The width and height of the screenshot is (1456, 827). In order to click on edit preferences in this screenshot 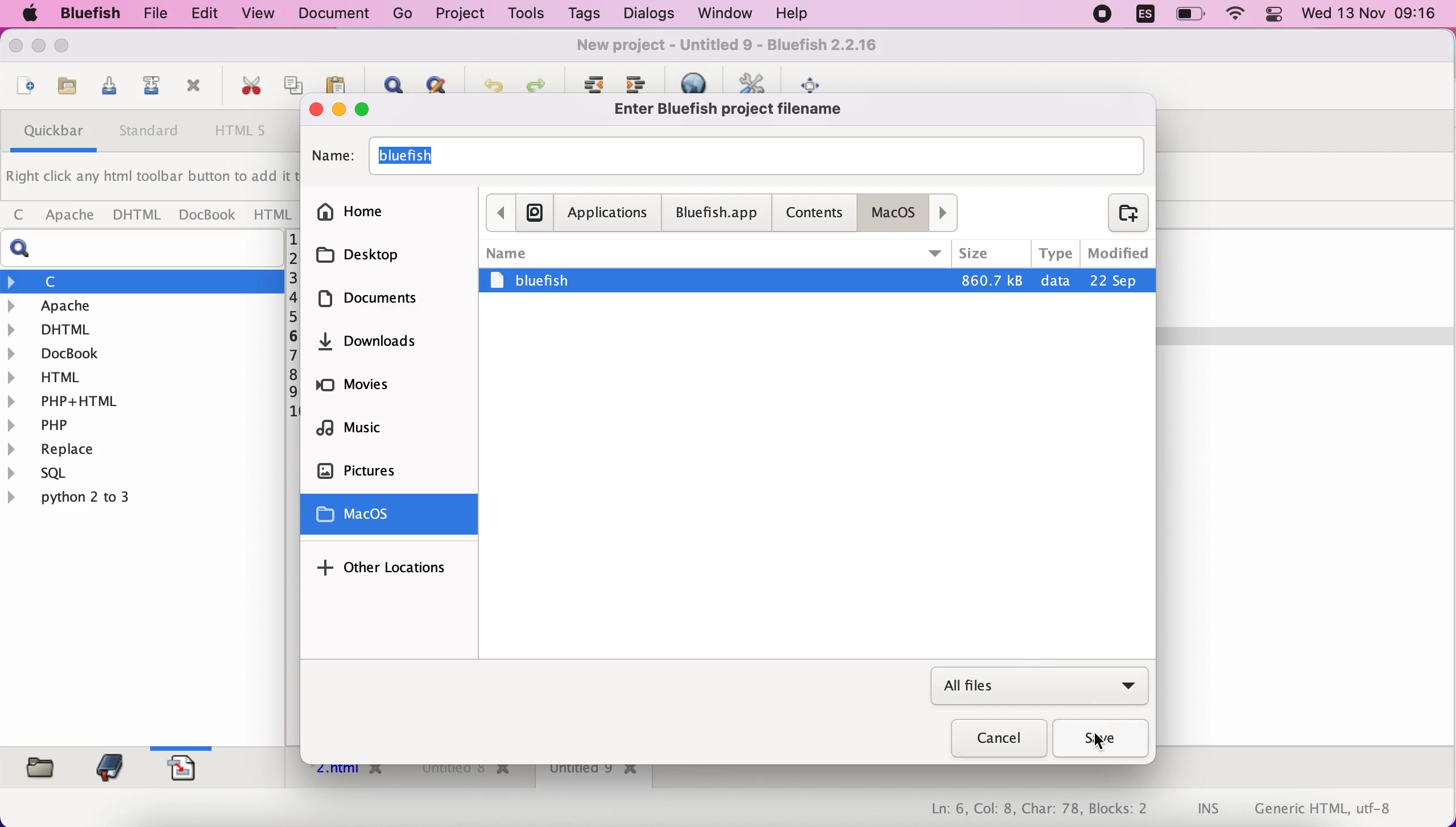, I will do `click(754, 81)`.